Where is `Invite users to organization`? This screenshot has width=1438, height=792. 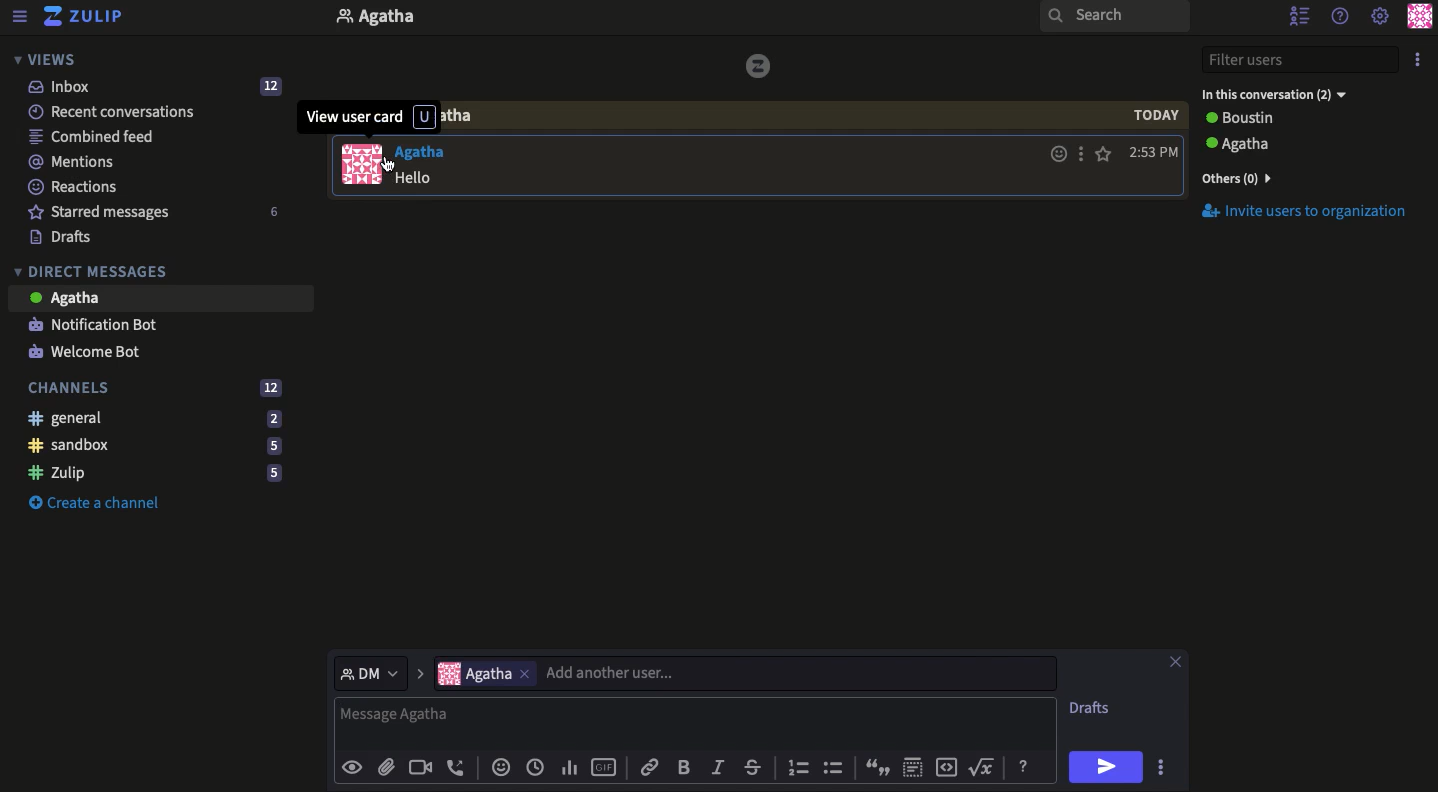
Invite users to organization is located at coordinates (1304, 211).